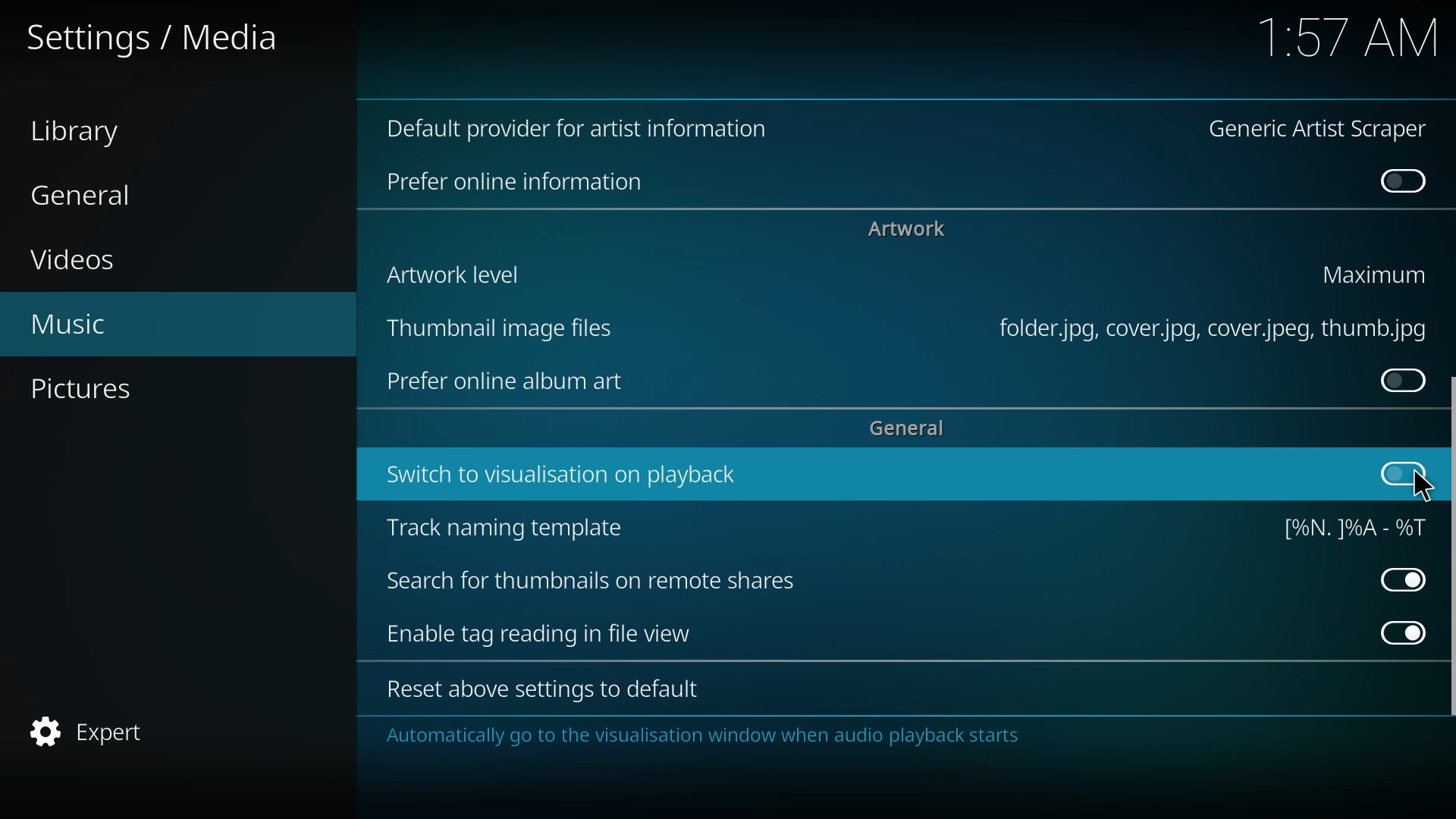  I want to click on template, so click(1349, 526).